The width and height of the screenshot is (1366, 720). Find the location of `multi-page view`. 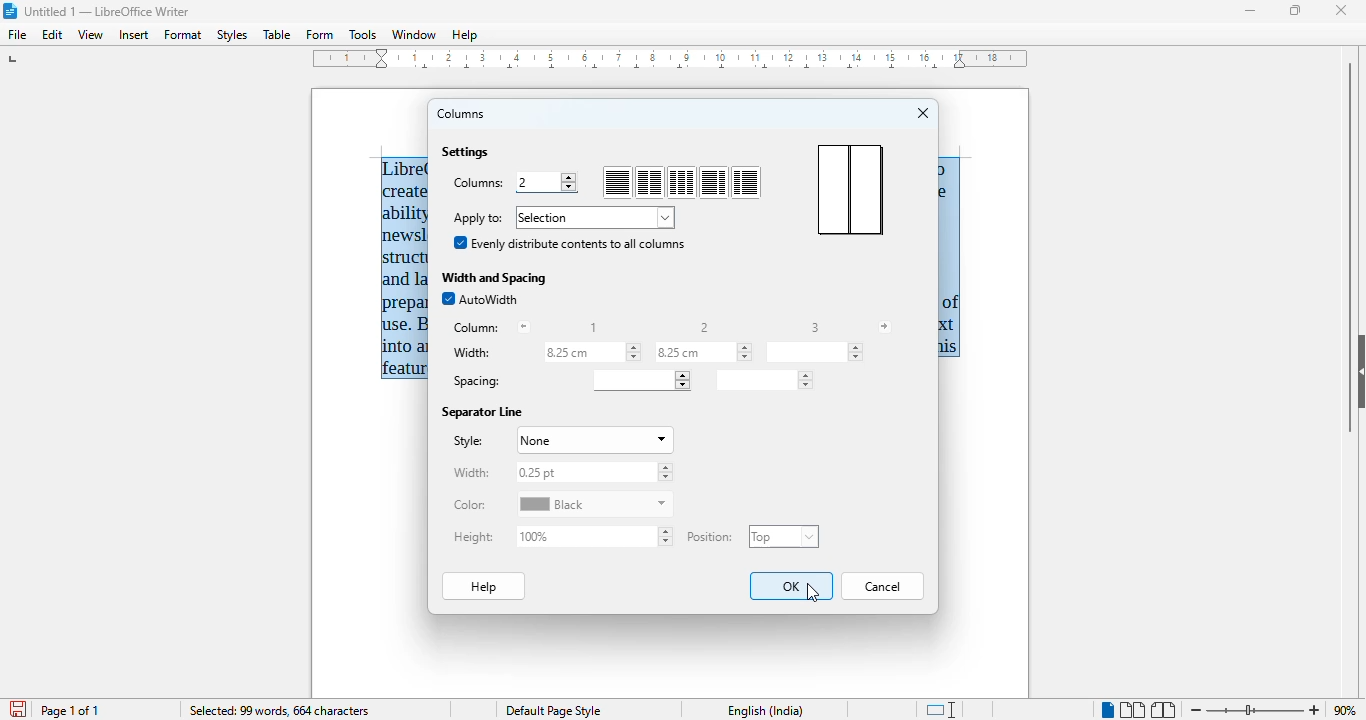

multi-page view is located at coordinates (1132, 710).